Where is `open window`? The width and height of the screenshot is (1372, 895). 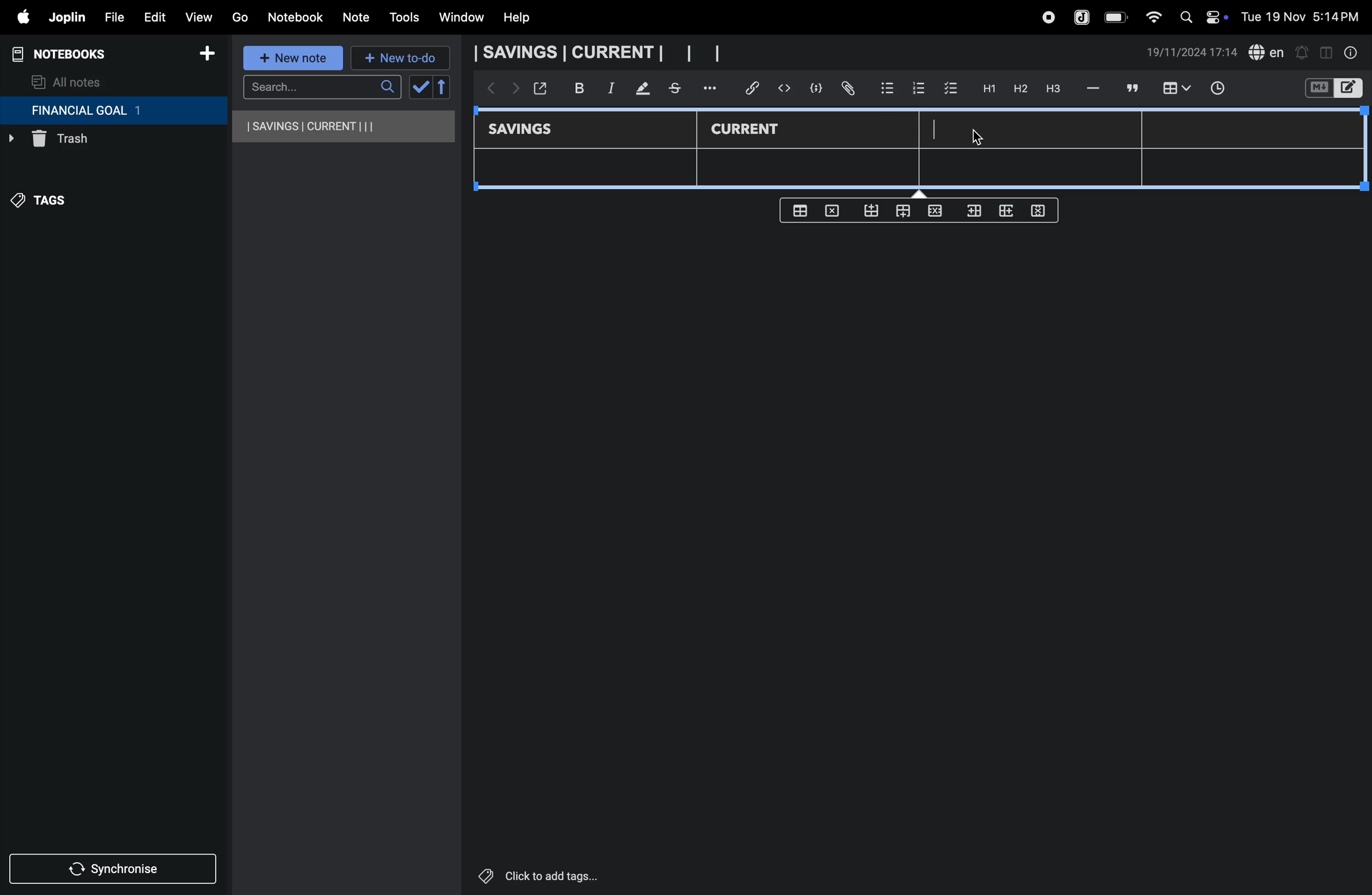 open window is located at coordinates (539, 88).